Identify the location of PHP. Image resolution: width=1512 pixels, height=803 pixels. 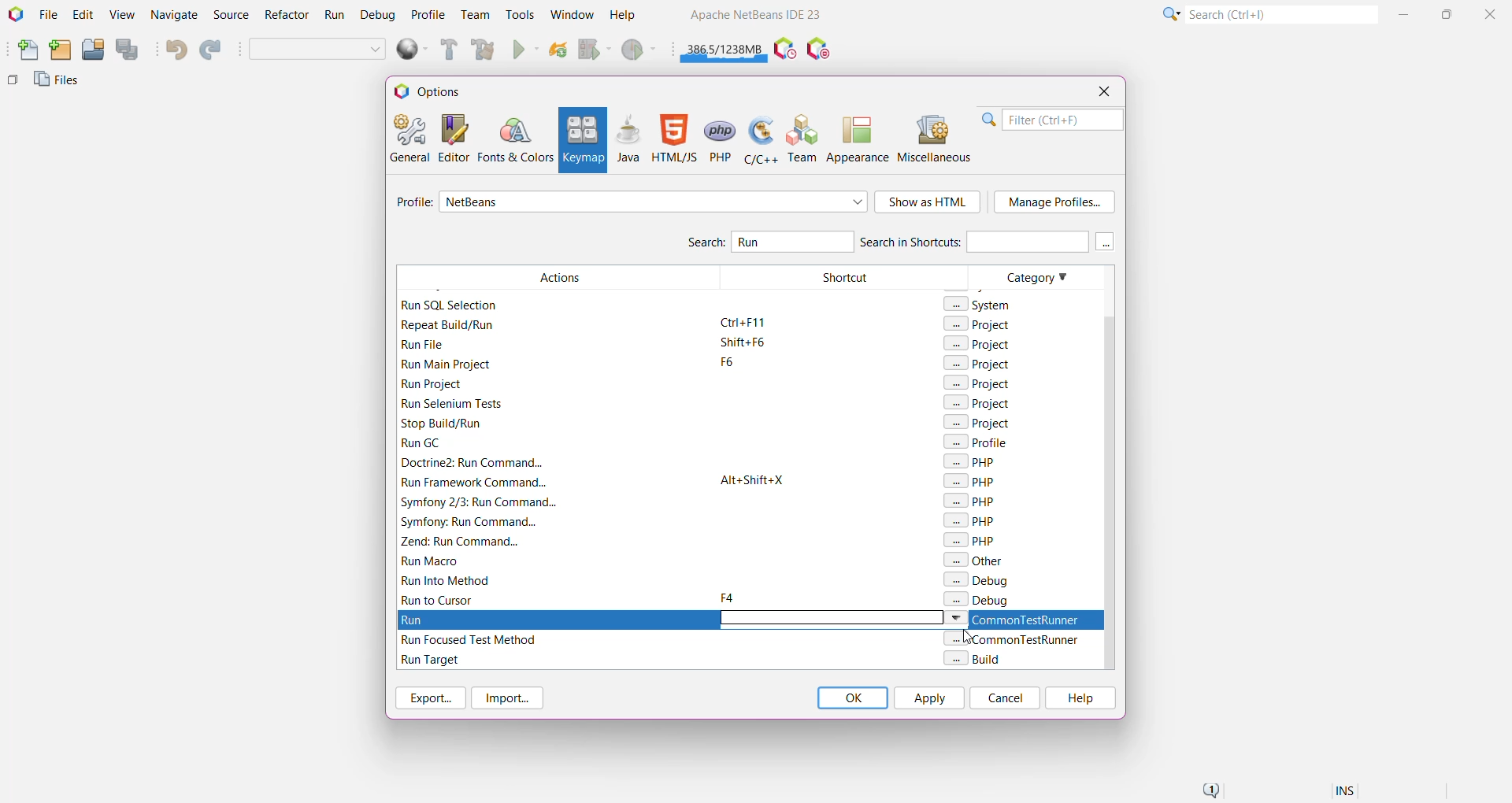
(721, 139).